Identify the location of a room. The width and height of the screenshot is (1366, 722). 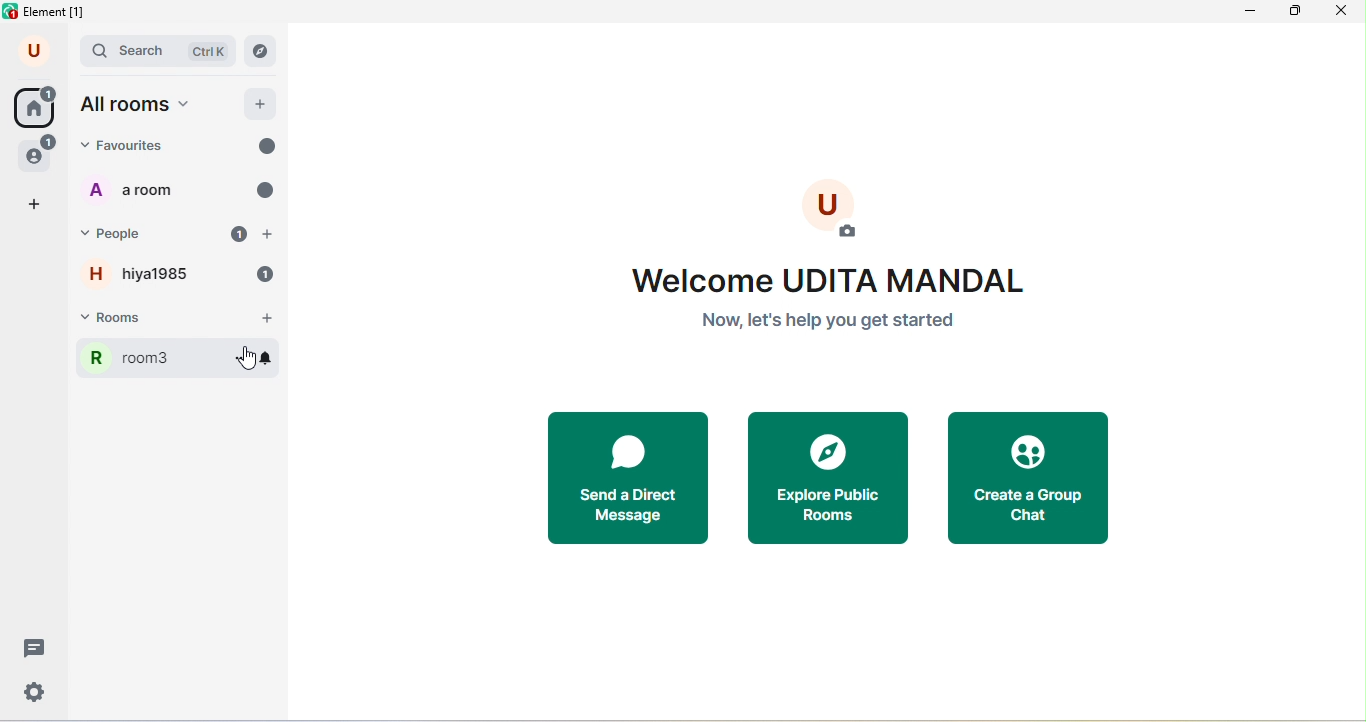
(135, 189).